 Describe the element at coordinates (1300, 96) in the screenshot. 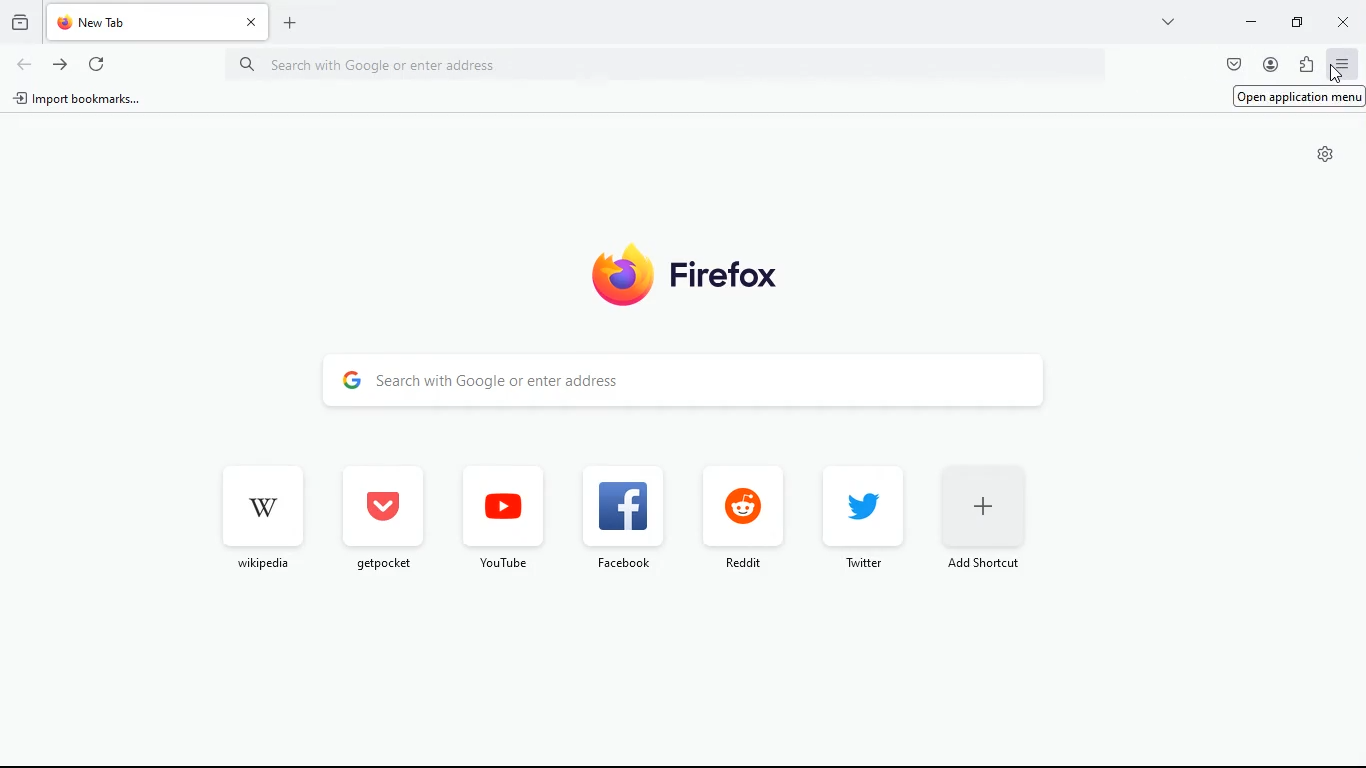

I see `Open application menu` at that location.